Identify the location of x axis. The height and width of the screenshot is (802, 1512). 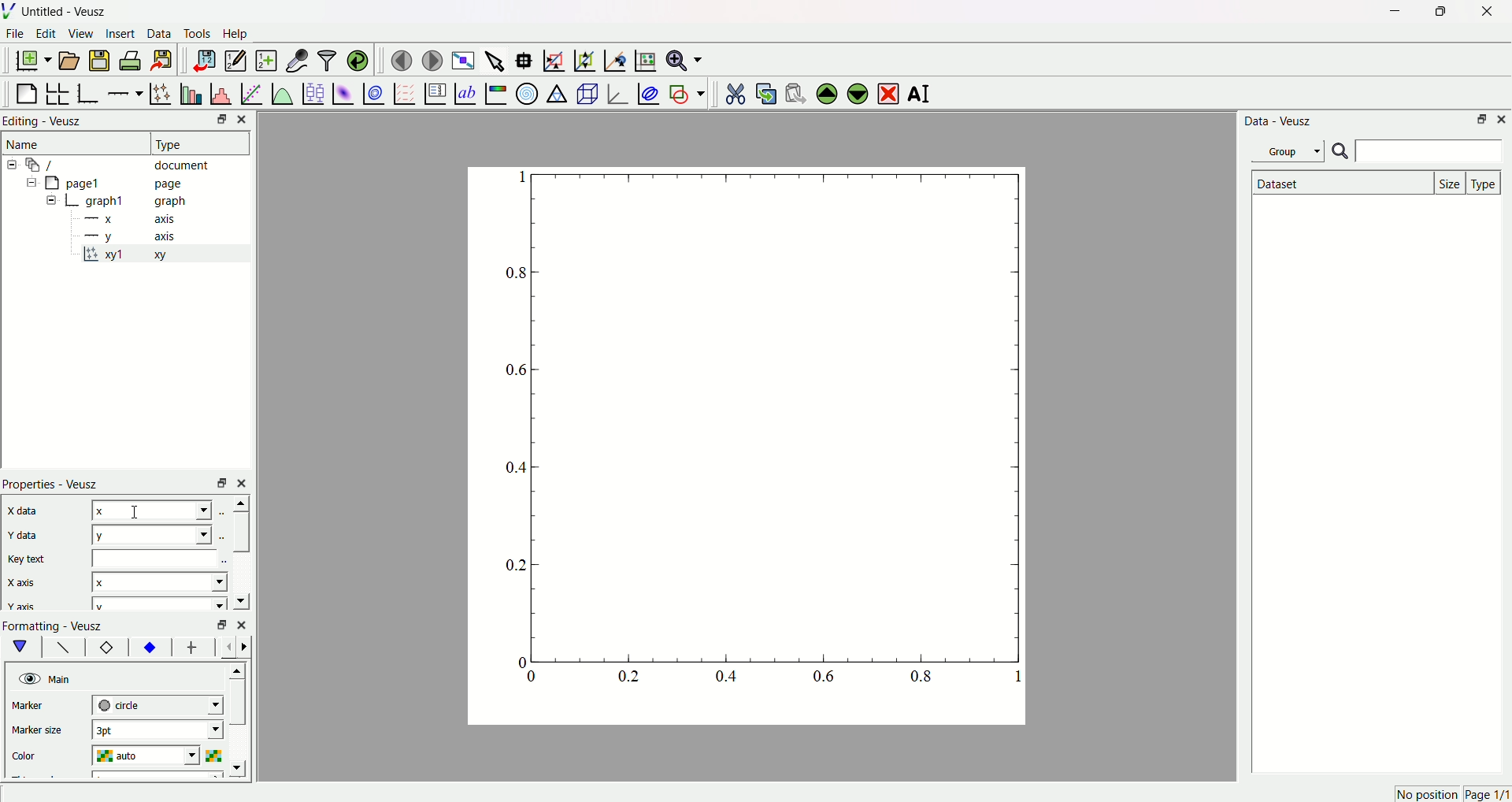
(133, 220).